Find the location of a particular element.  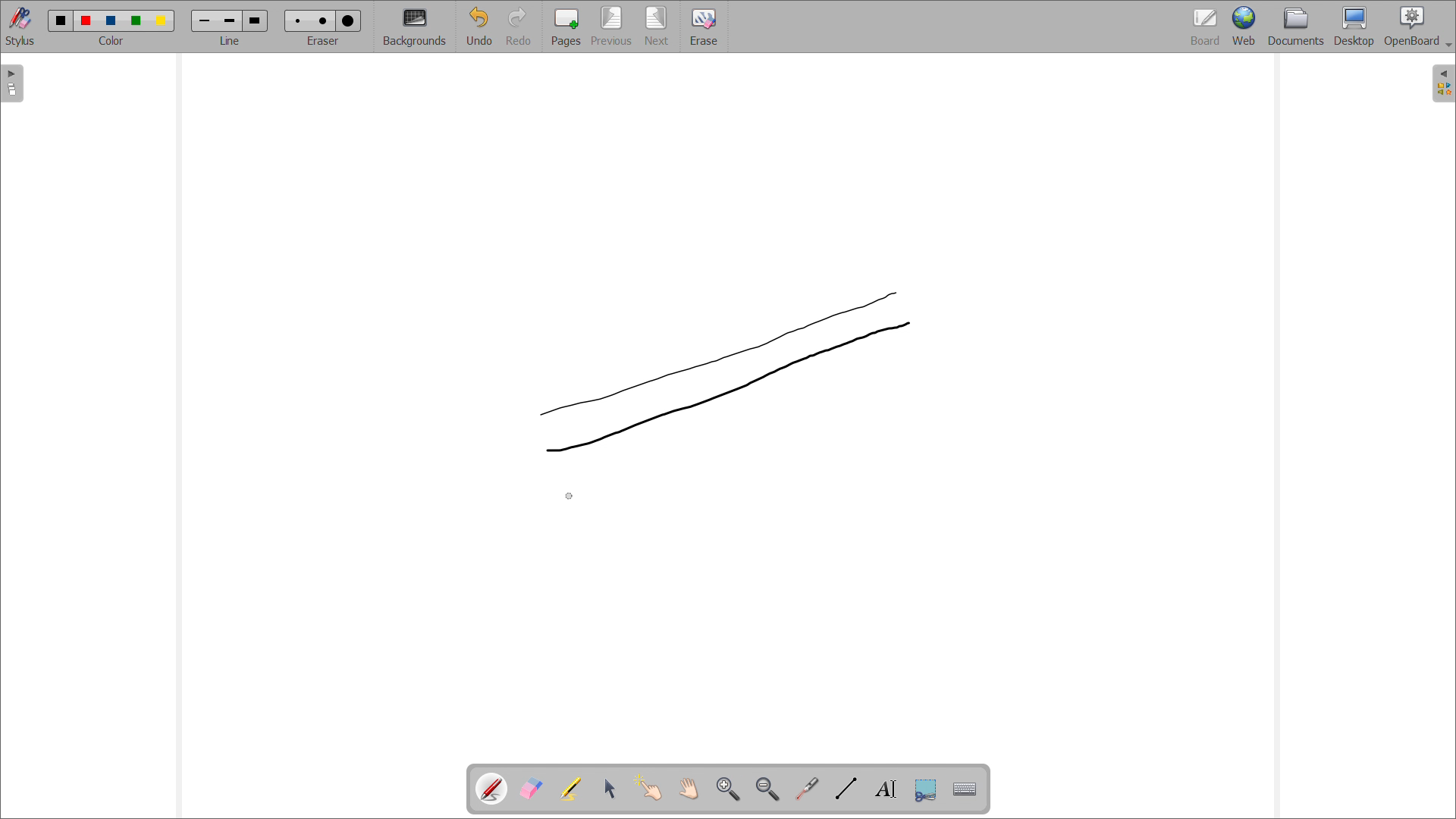

zoom out is located at coordinates (768, 789).